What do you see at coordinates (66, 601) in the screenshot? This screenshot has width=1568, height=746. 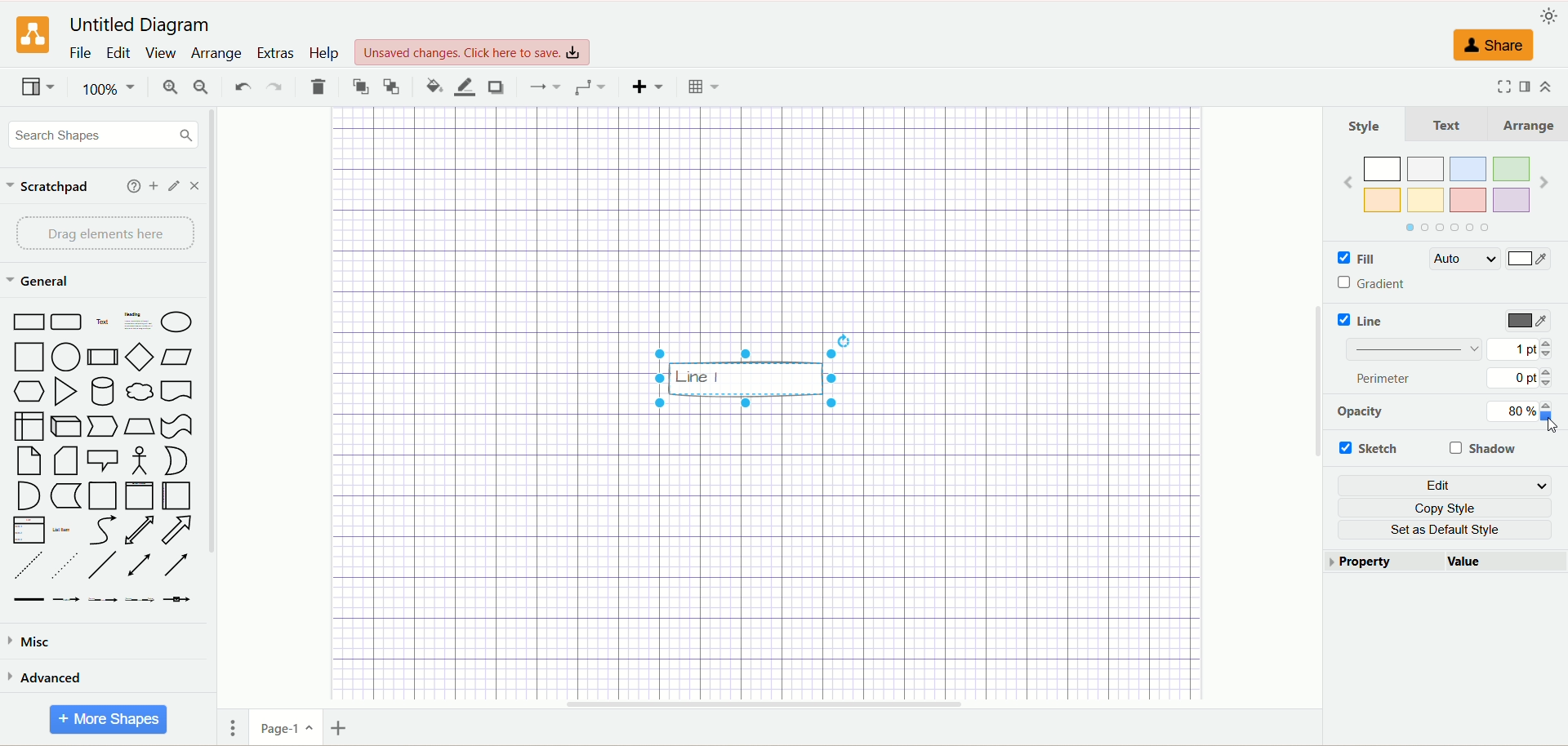 I see `Connector with label` at bounding box center [66, 601].